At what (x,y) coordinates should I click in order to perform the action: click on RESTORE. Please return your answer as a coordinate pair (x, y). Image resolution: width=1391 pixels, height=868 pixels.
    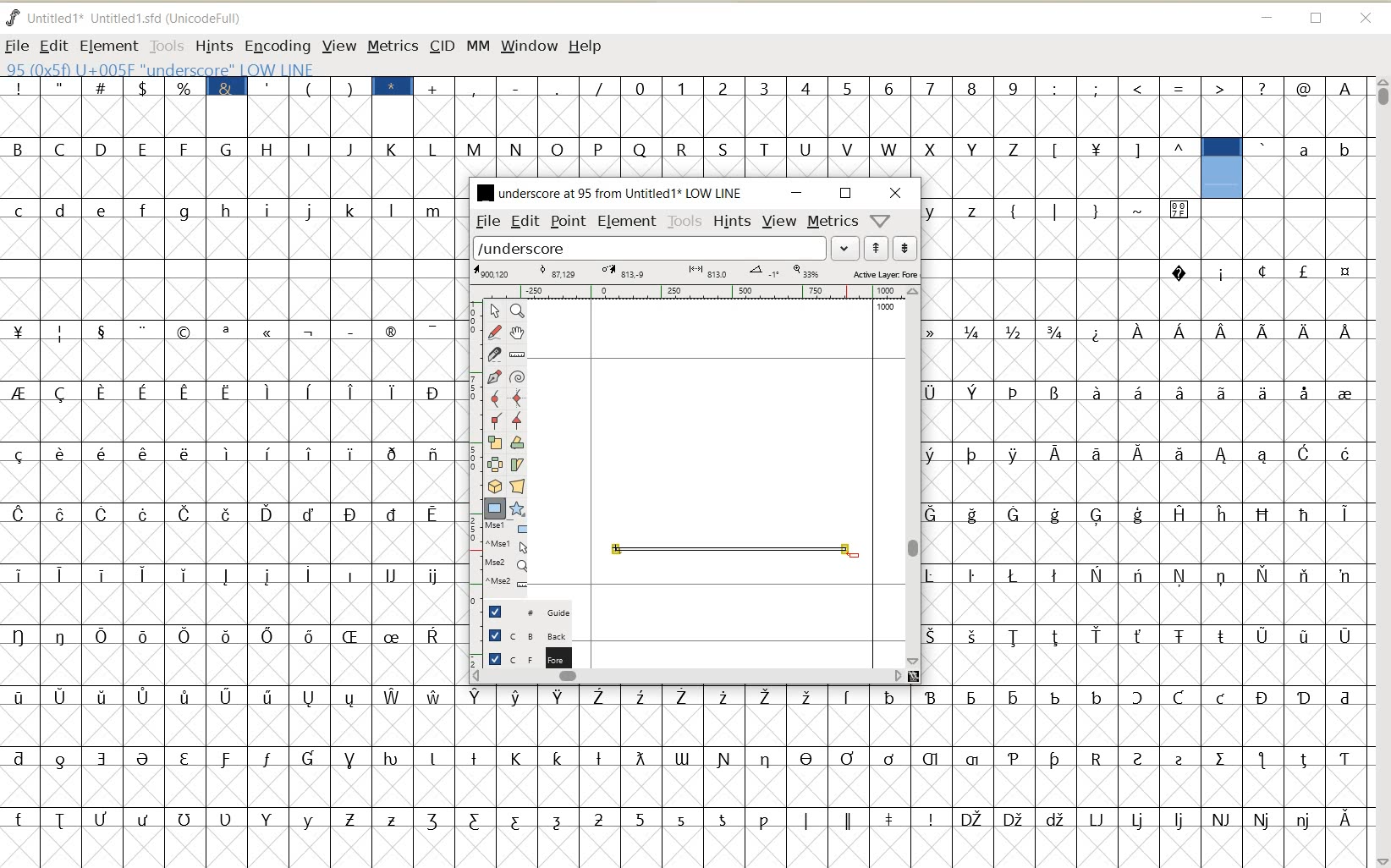
    Looking at the image, I should click on (1317, 19).